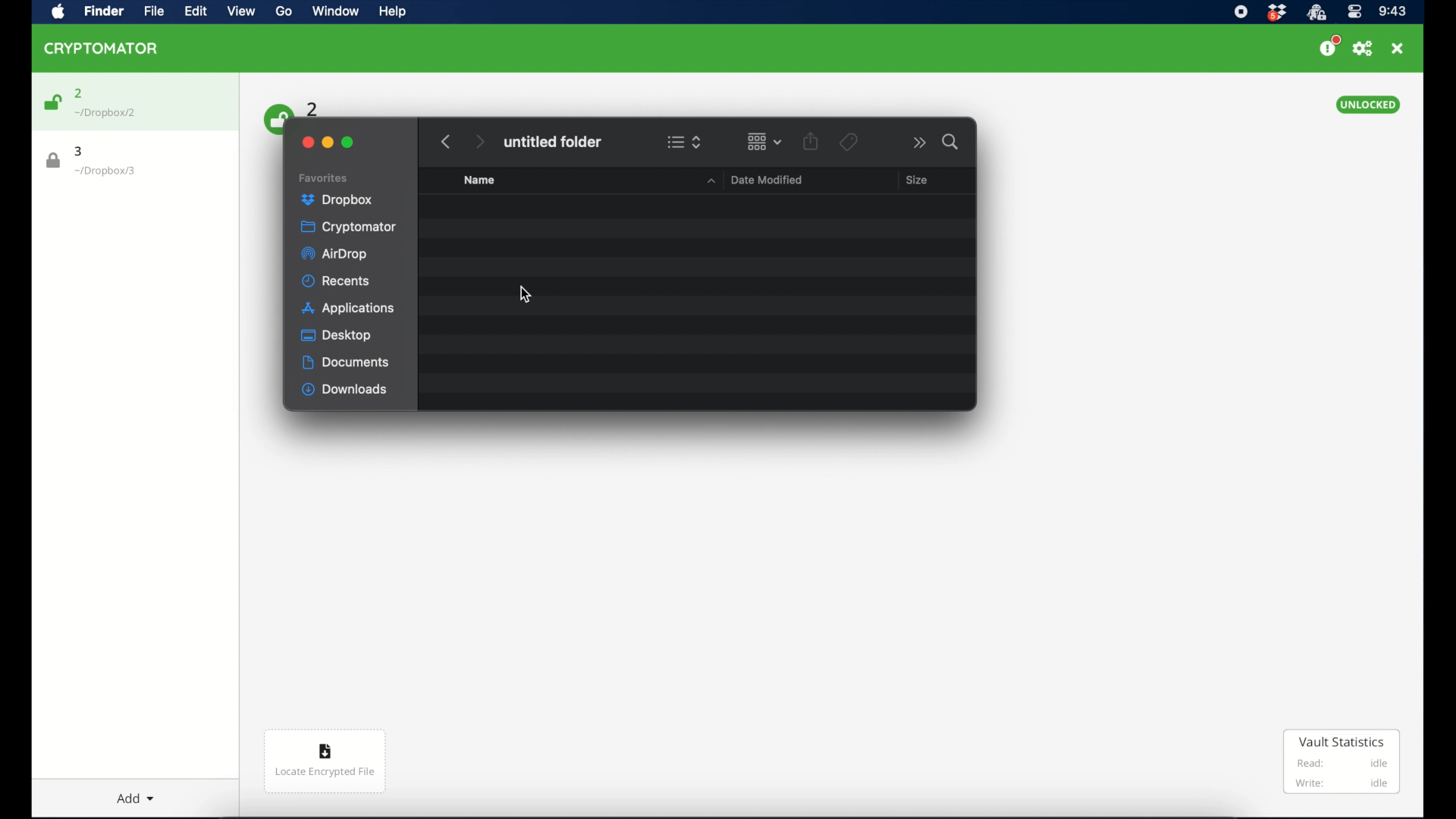  What do you see at coordinates (129, 792) in the screenshot?
I see `add dropdown` at bounding box center [129, 792].